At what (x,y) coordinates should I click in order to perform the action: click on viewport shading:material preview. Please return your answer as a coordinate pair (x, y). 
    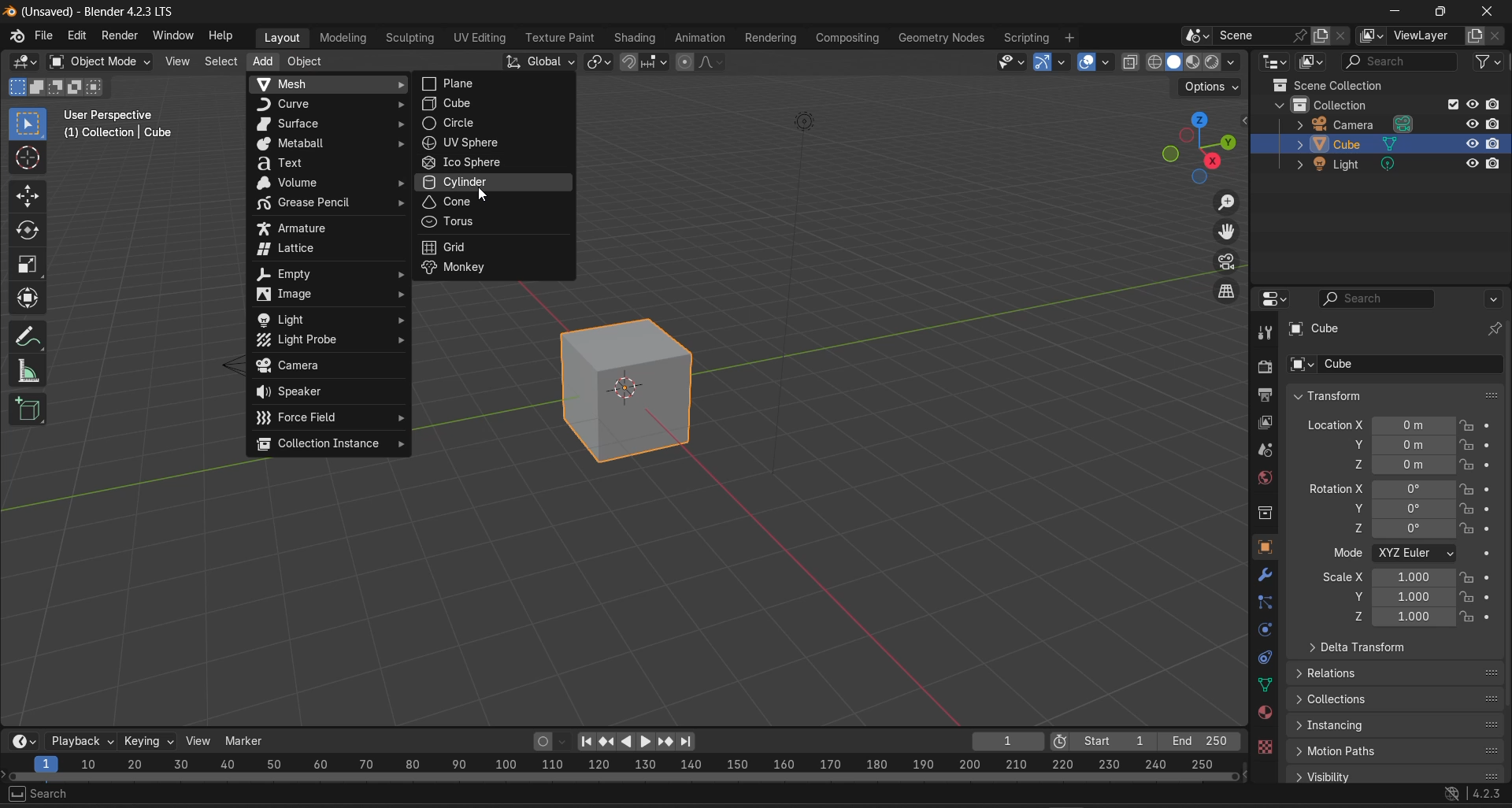
    Looking at the image, I should click on (1191, 61).